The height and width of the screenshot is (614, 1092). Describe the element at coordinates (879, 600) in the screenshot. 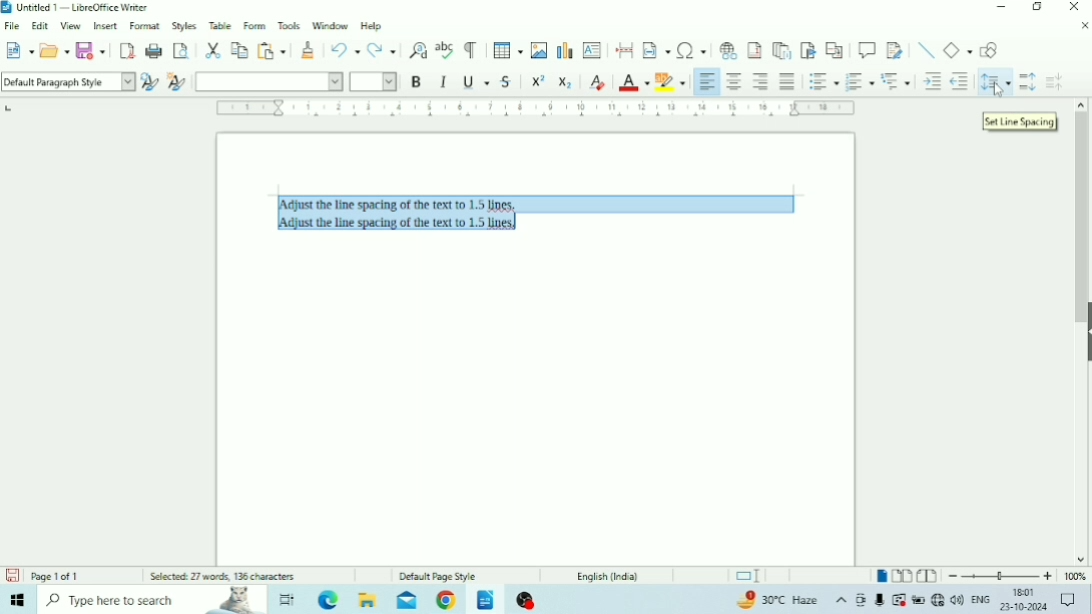

I see `Mic` at that location.